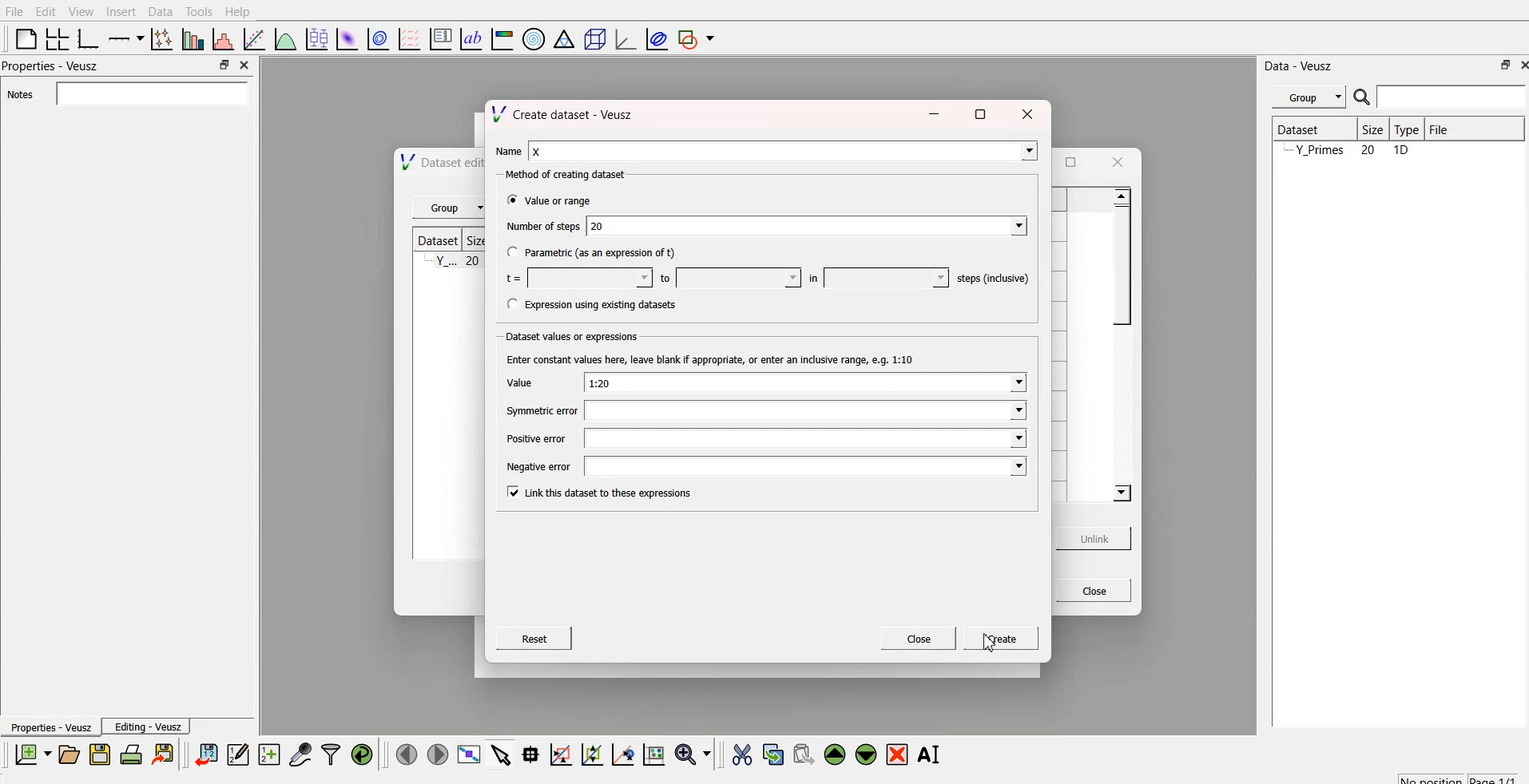 This screenshot has height=784, width=1529. Describe the element at coordinates (624, 39) in the screenshot. I see `3D graph` at that location.